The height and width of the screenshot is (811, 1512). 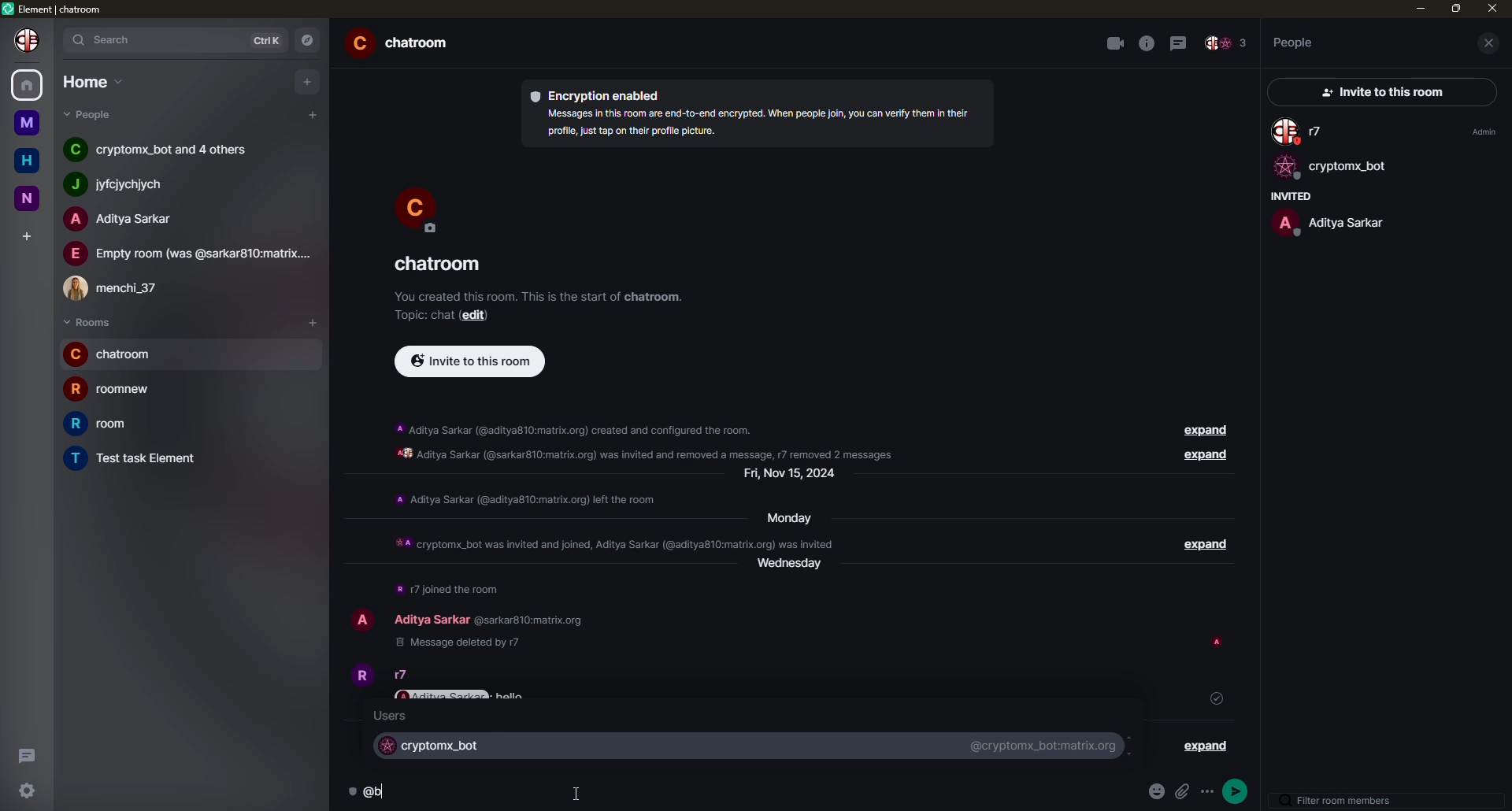 What do you see at coordinates (379, 791) in the screenshot?
I see `@b` at bounding box center [379, 791].